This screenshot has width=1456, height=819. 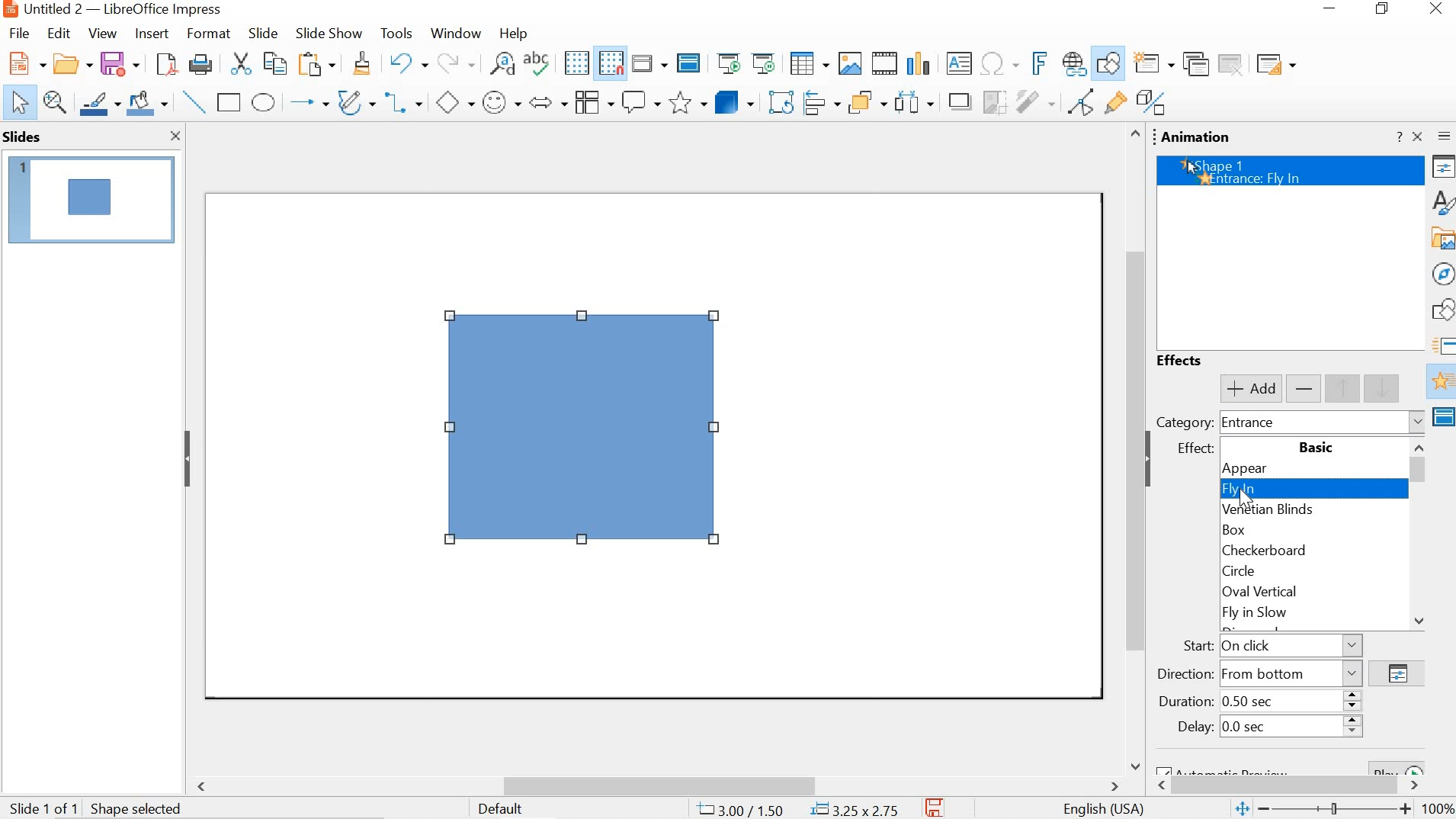 I want to click on zoom & pan, so click(x=53, y=101).